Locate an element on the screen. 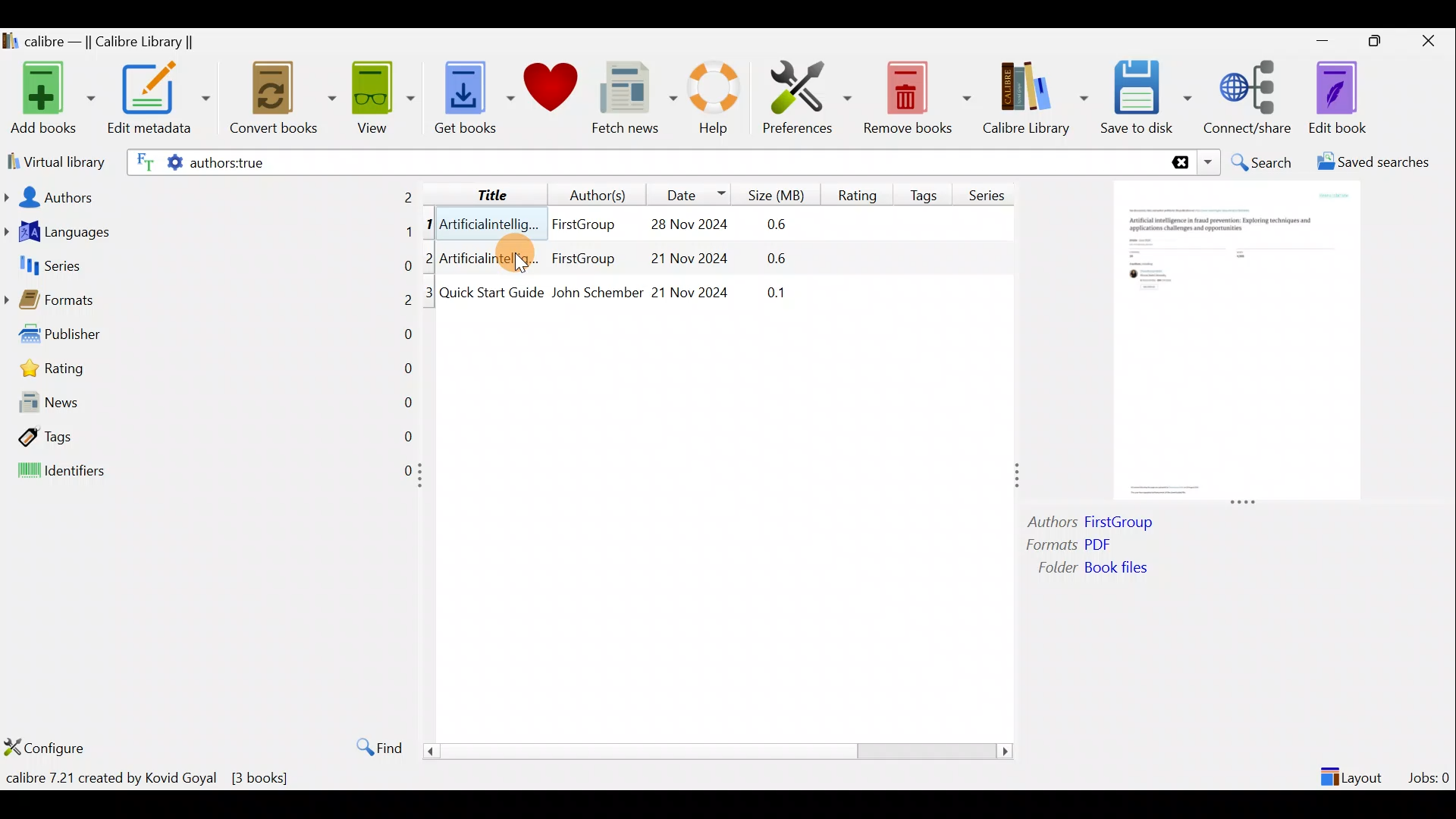 This screenshot has width=1456, height=819. Add books is located at coordinates (50, 99).